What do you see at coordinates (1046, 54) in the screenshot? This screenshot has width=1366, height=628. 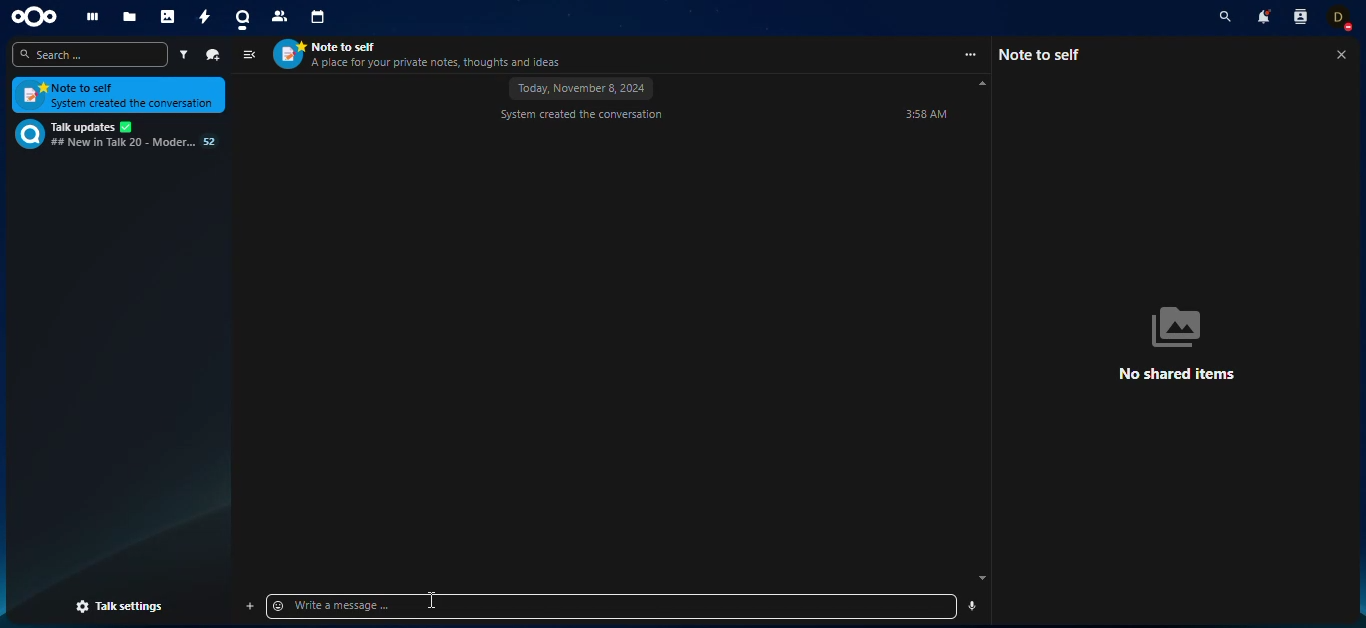 I see `note` at bounding box center [1046, 54].